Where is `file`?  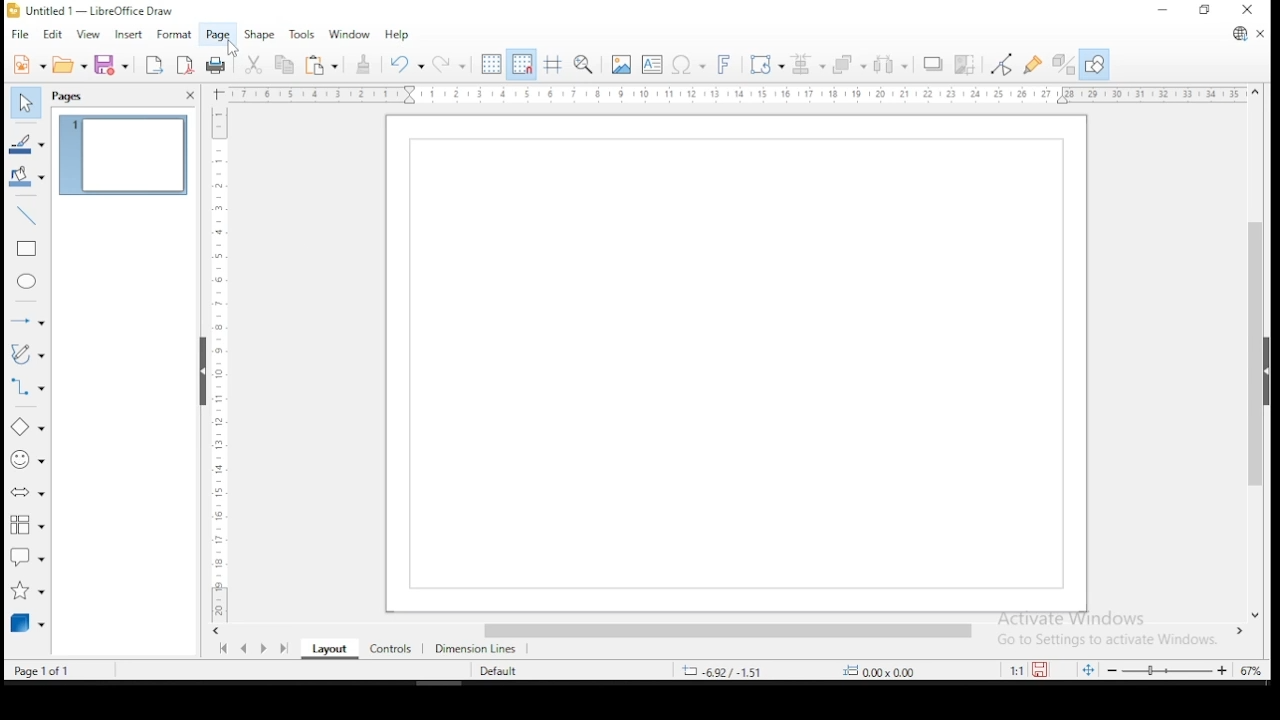 file is located at coordinates (19, 35).